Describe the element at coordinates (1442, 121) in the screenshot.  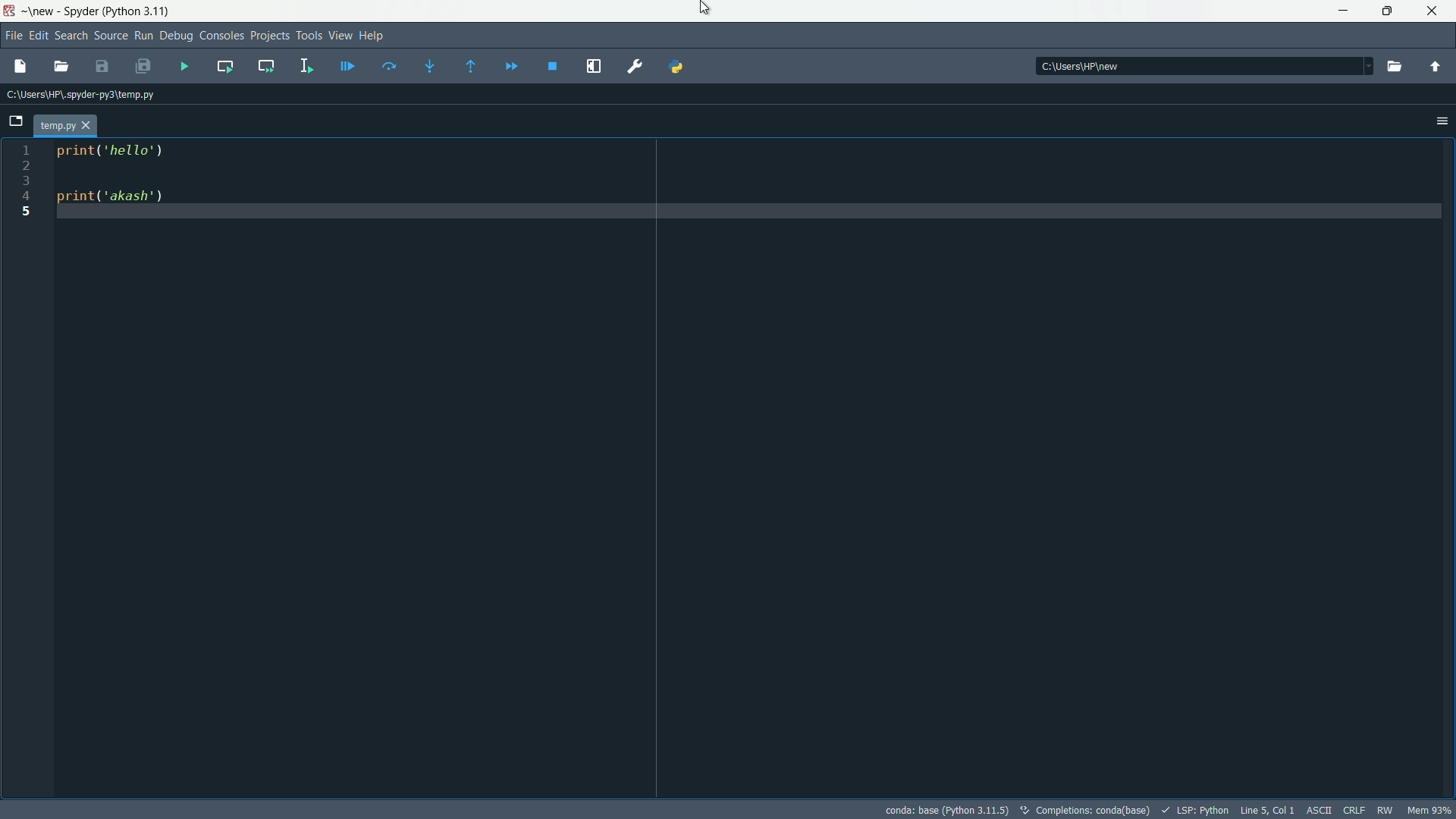
I see `options` at that location.